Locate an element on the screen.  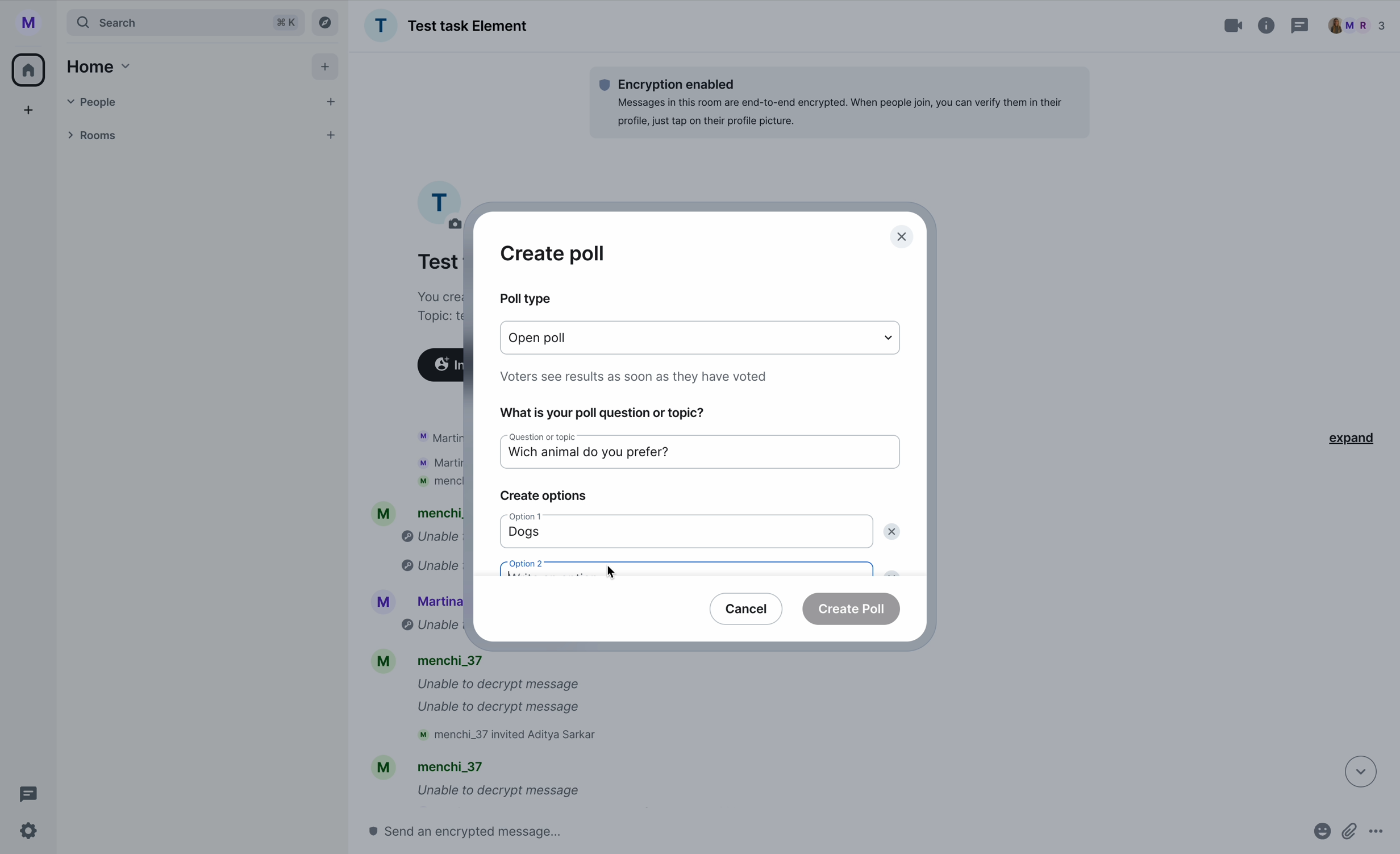
down arrow is located at coordinates (1353, 770).